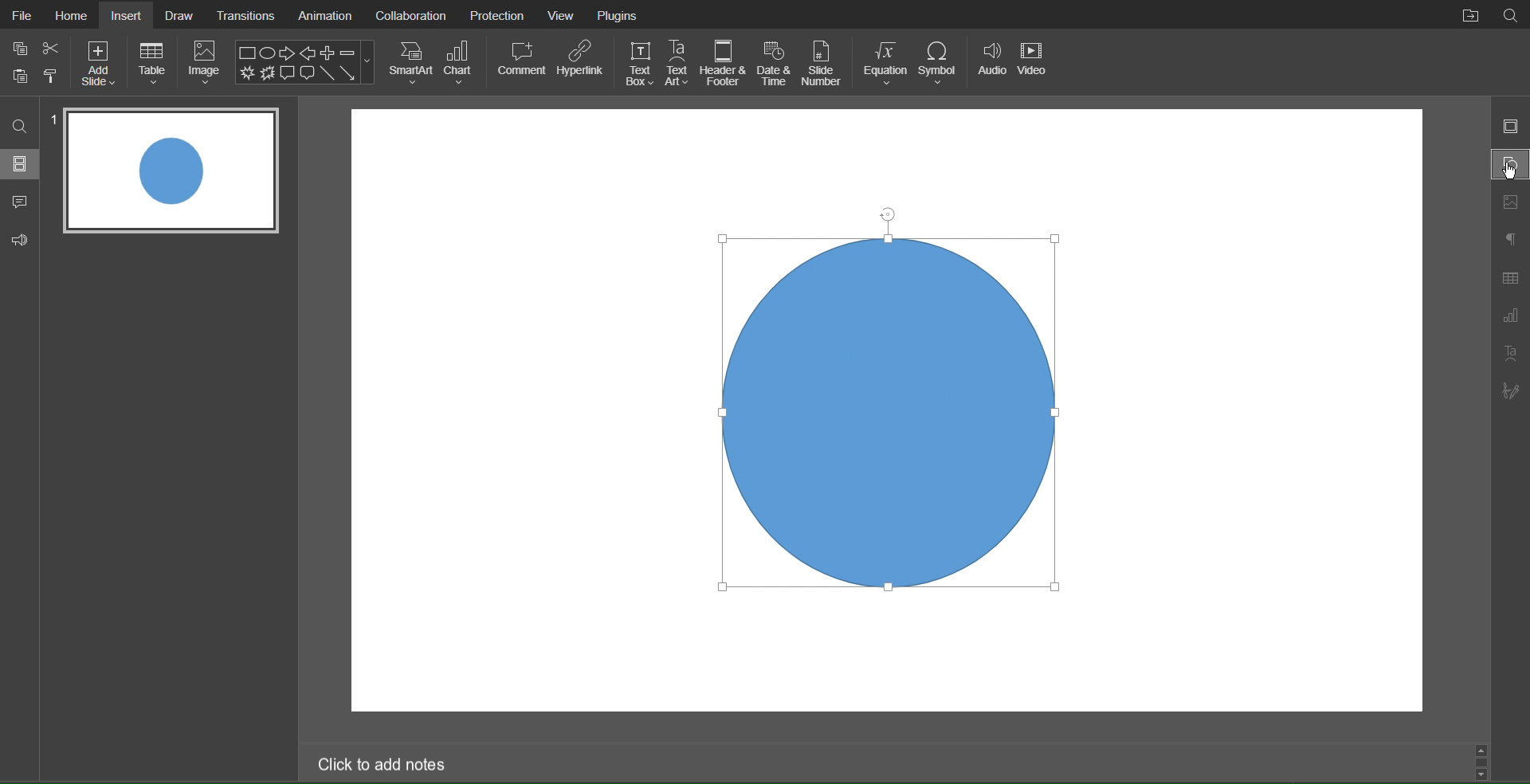 Image resolution: width=1530 pixels, height=784 pixels. What do you see at coordinates (19, 14) in the screenshot?
I see `File` at bounding box center [19, 14].